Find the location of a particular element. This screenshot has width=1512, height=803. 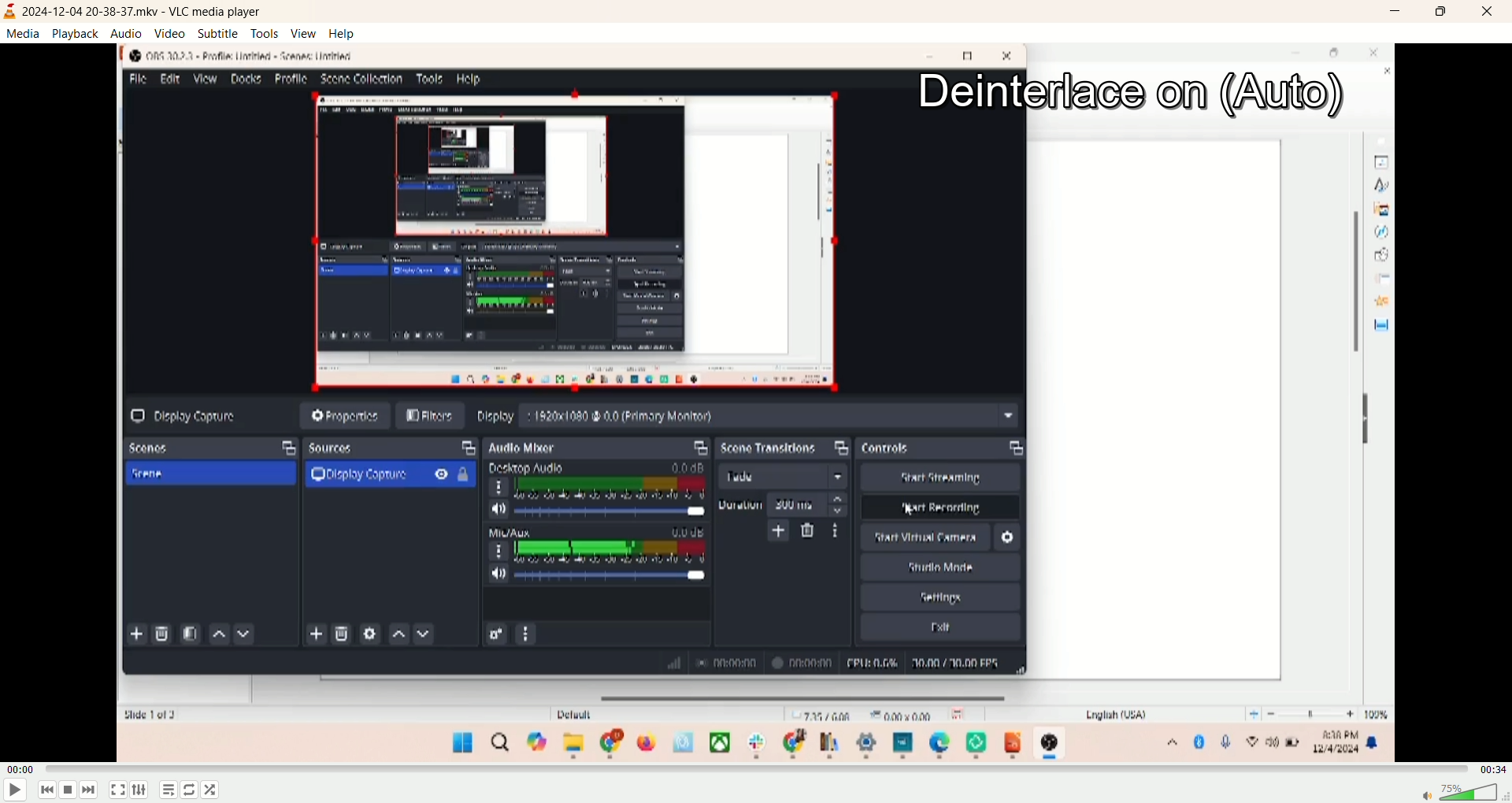

stop is located at coordinates (69, 790).